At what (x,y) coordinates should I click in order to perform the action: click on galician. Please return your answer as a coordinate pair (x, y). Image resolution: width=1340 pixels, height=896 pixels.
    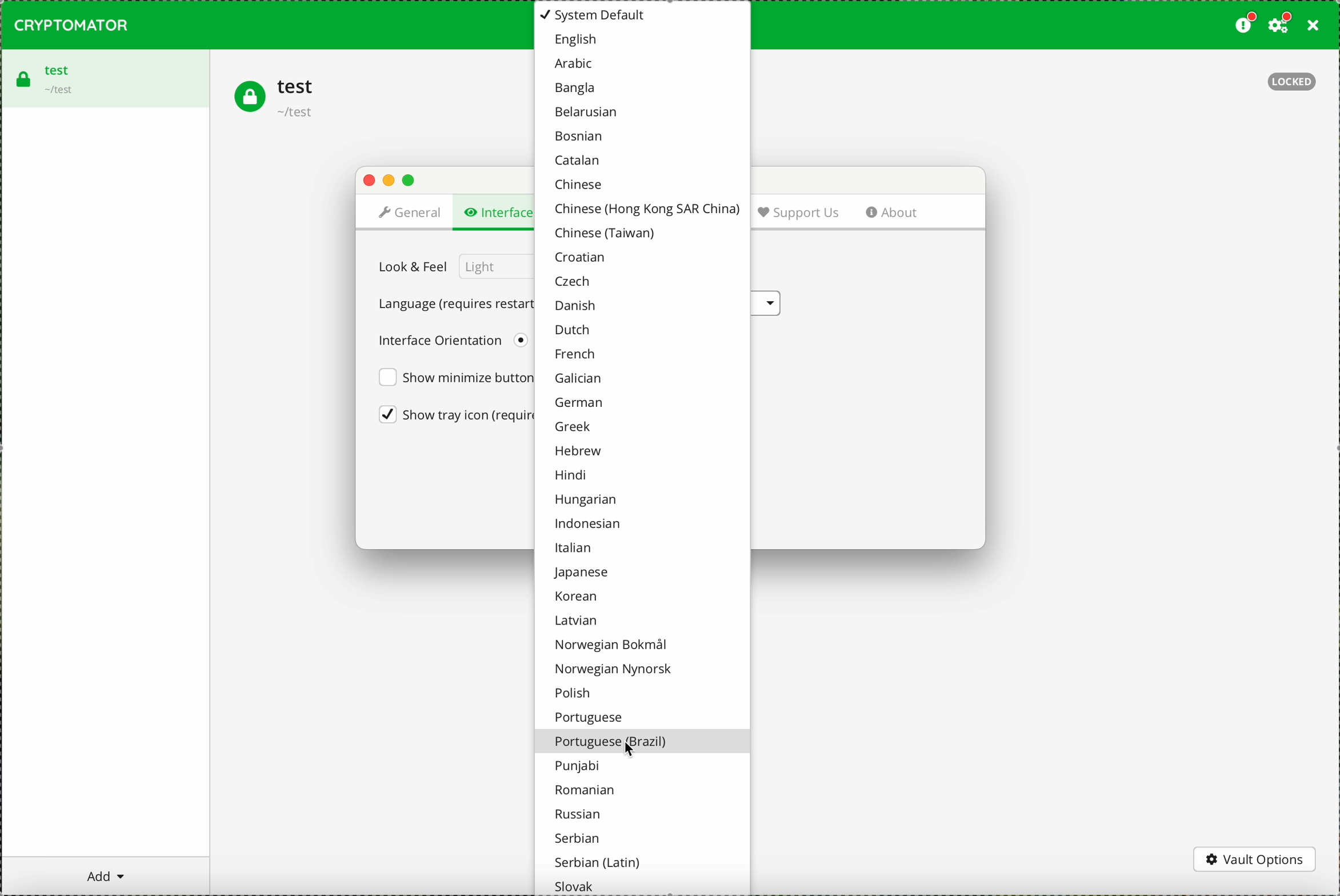
    Looking at the image, I should click on (583, 378).